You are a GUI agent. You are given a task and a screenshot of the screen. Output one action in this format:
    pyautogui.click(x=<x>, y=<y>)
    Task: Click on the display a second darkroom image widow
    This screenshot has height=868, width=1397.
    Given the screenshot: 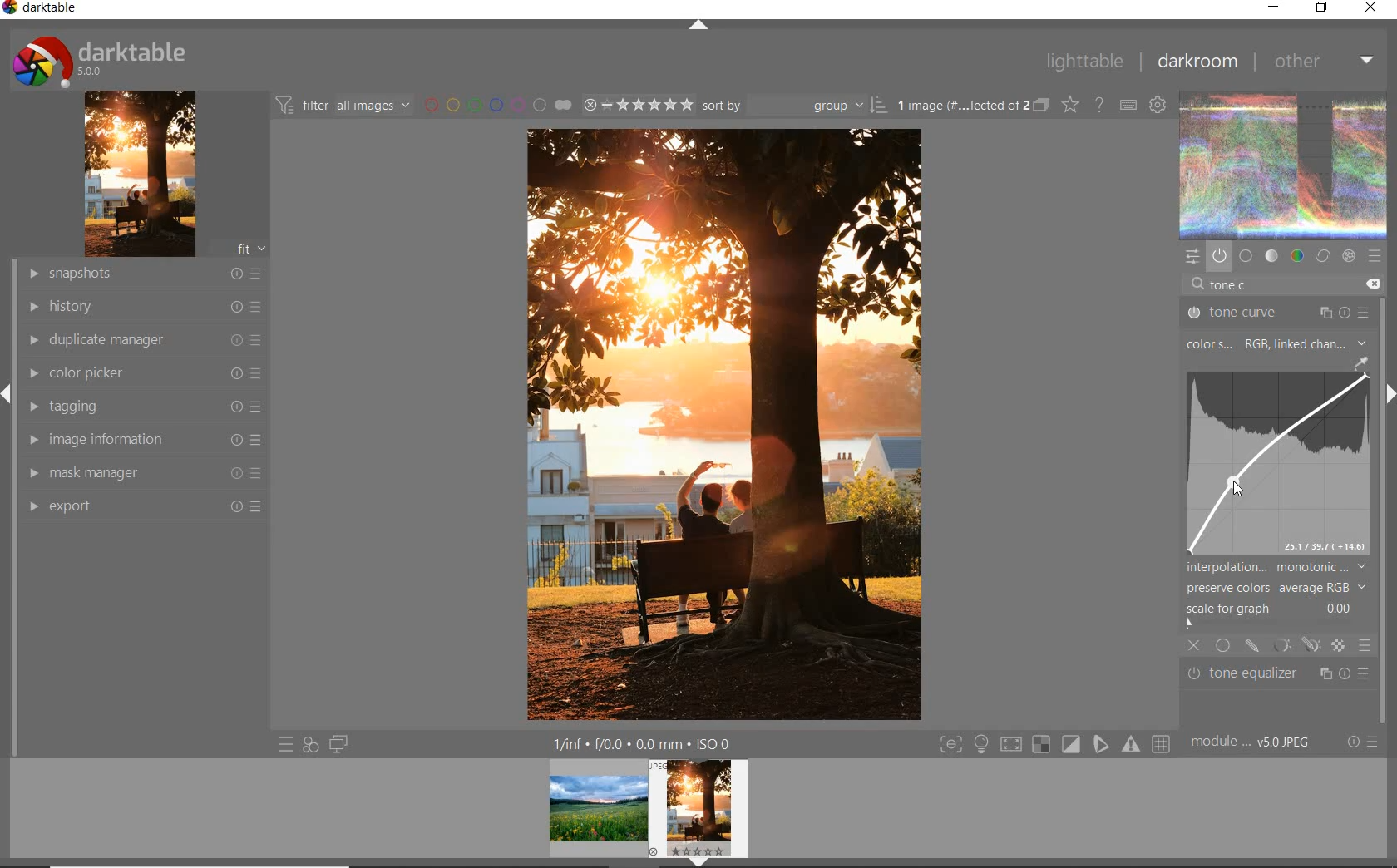 What is the action you would take?
    pyautogui.click(x=339, y=744)
    